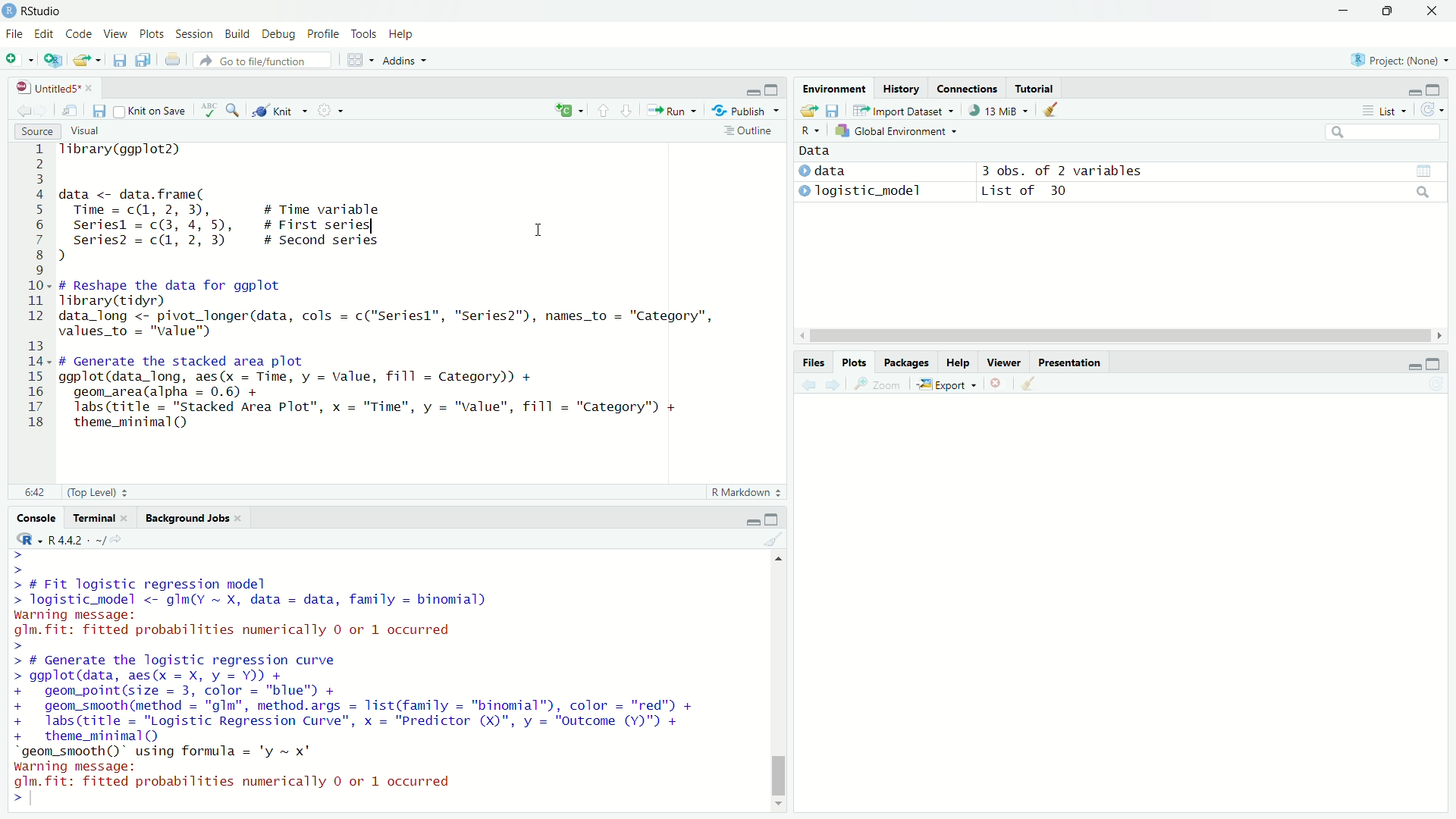 The height and width of the screenshot is (819, 1456). What do you see at coordinates (356, 63) in the screenshot?
I see `grid` at bounding box center [356, 63].